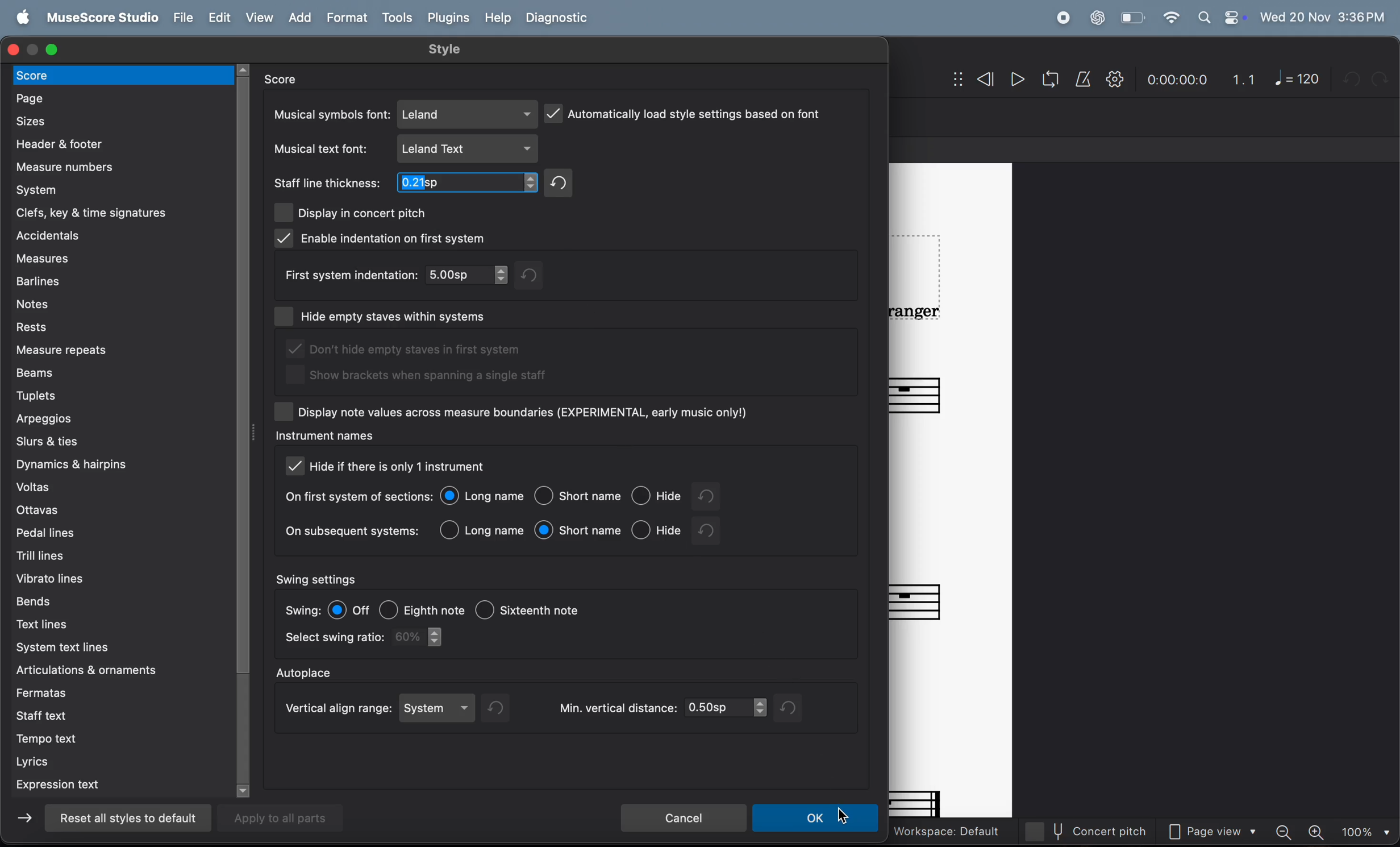  I want to click on reset all to default, so click(124, 818).